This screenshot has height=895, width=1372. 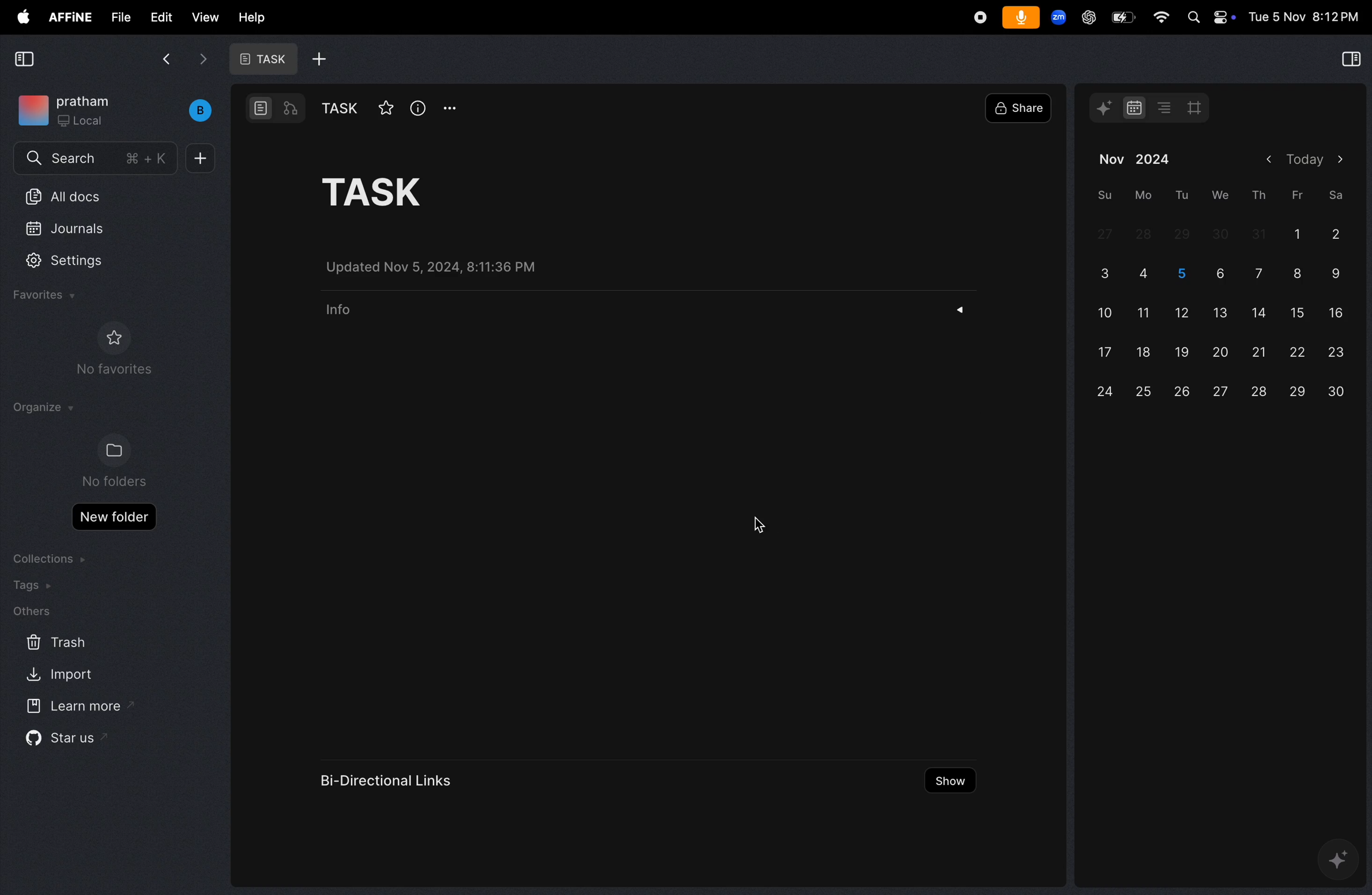 What do you see at coordinates (75, 262) in the screenshot?
I see `settings` at bounding box center [75, 262].